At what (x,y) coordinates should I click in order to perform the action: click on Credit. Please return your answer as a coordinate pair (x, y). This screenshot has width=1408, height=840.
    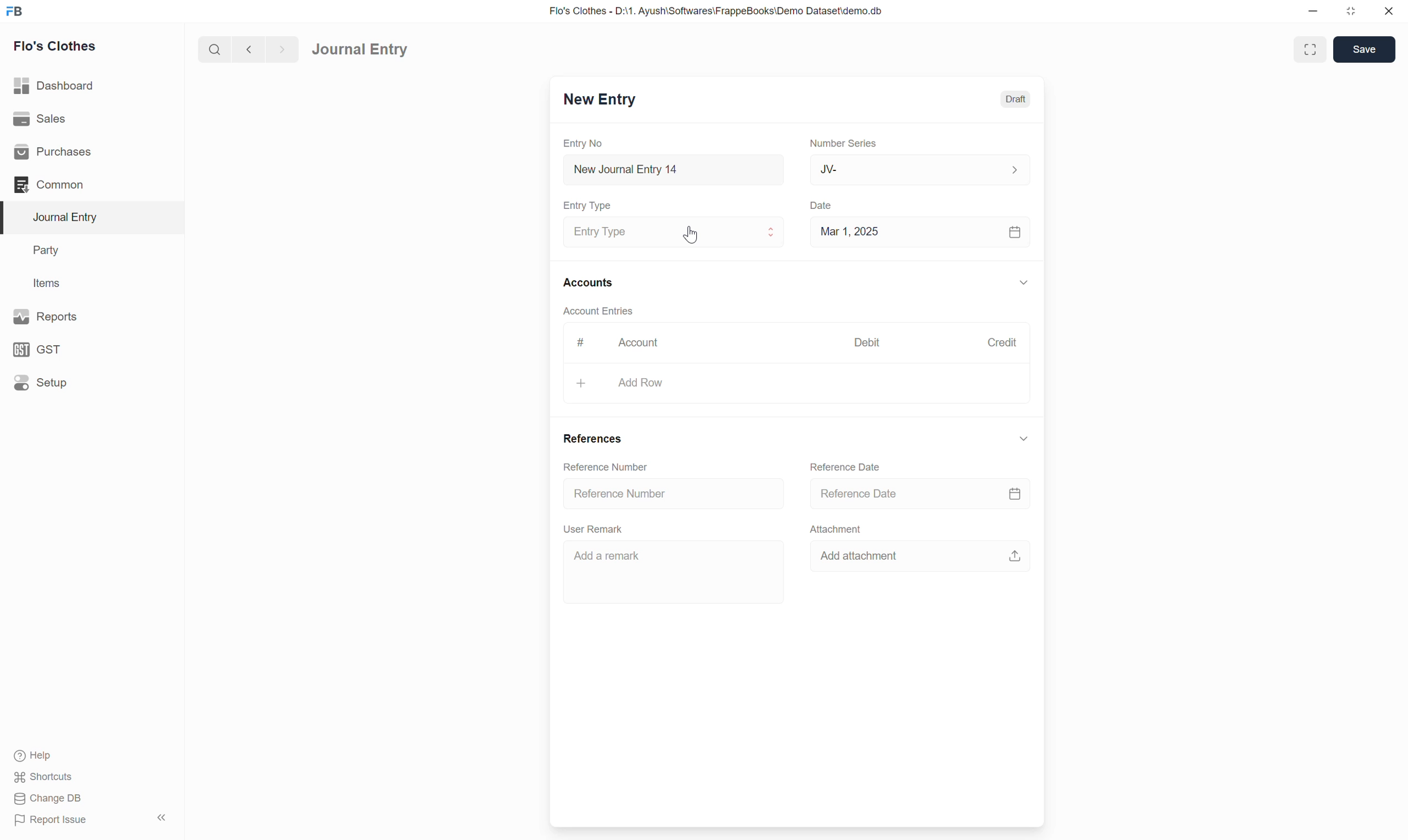
    Looking at the image, I should click on (1002, 342).